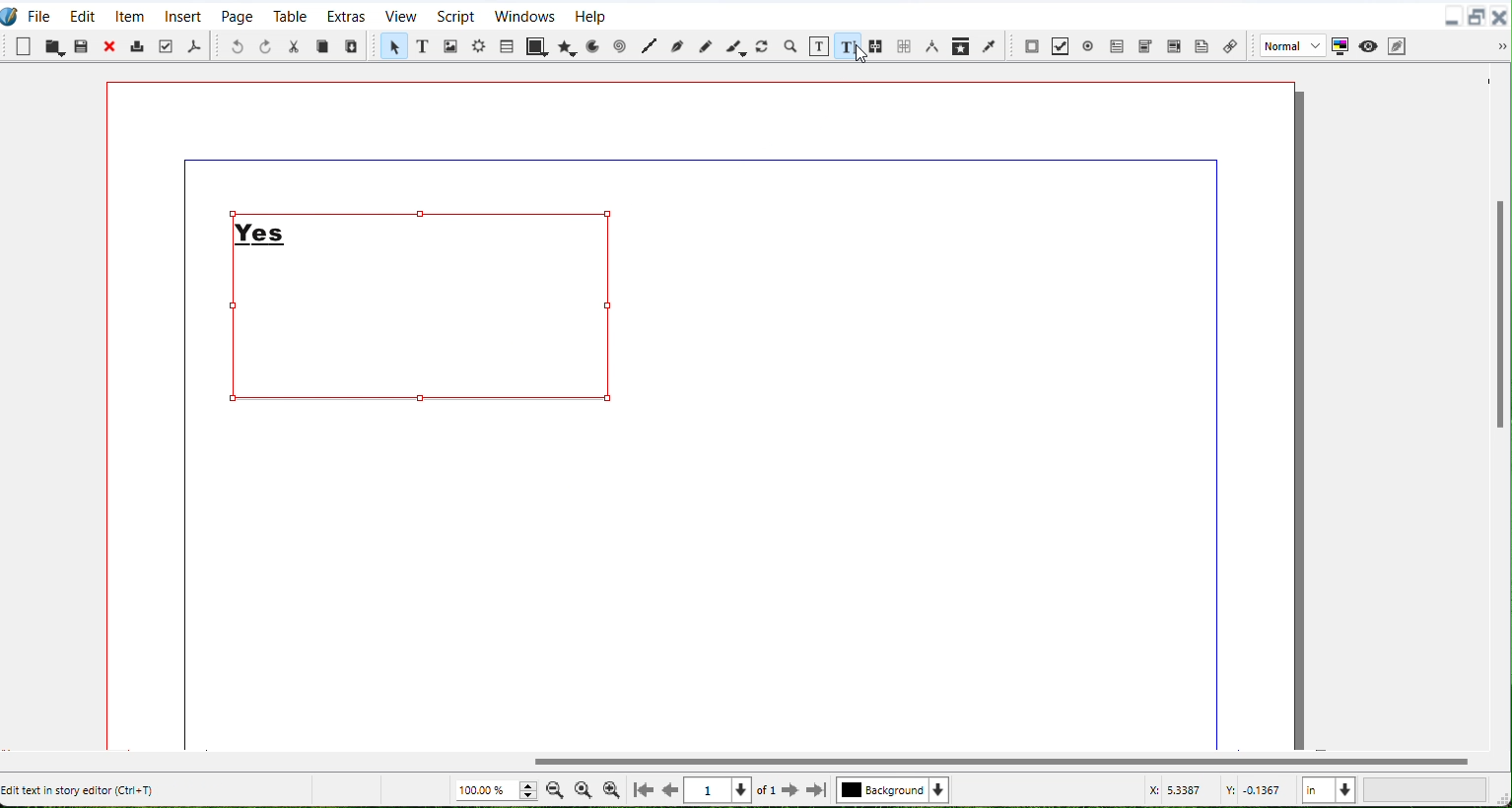  I want to click on Copy, so click(323, 45).